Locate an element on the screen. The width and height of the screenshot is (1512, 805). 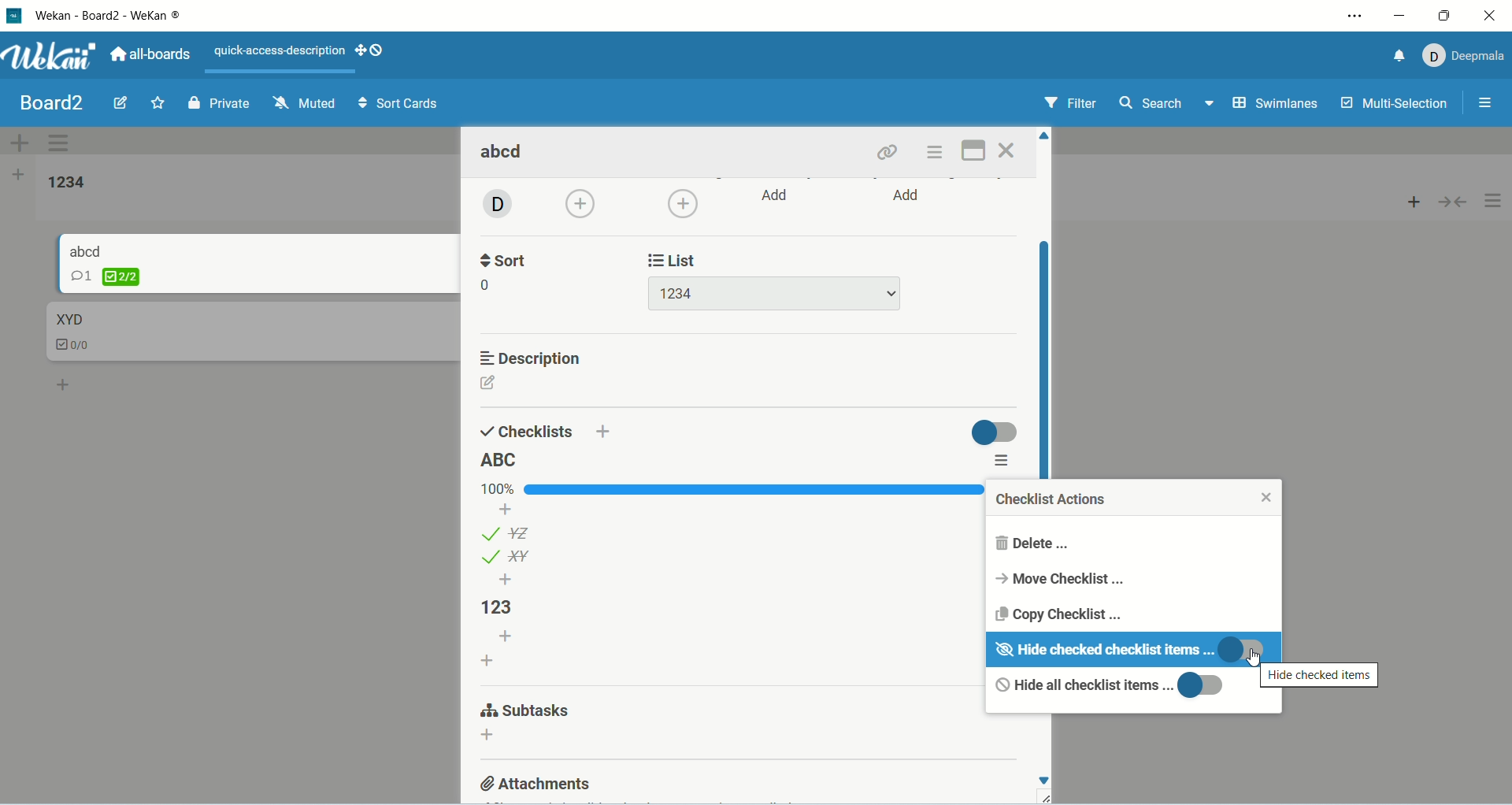
close is located at coordinates (1268, 496).